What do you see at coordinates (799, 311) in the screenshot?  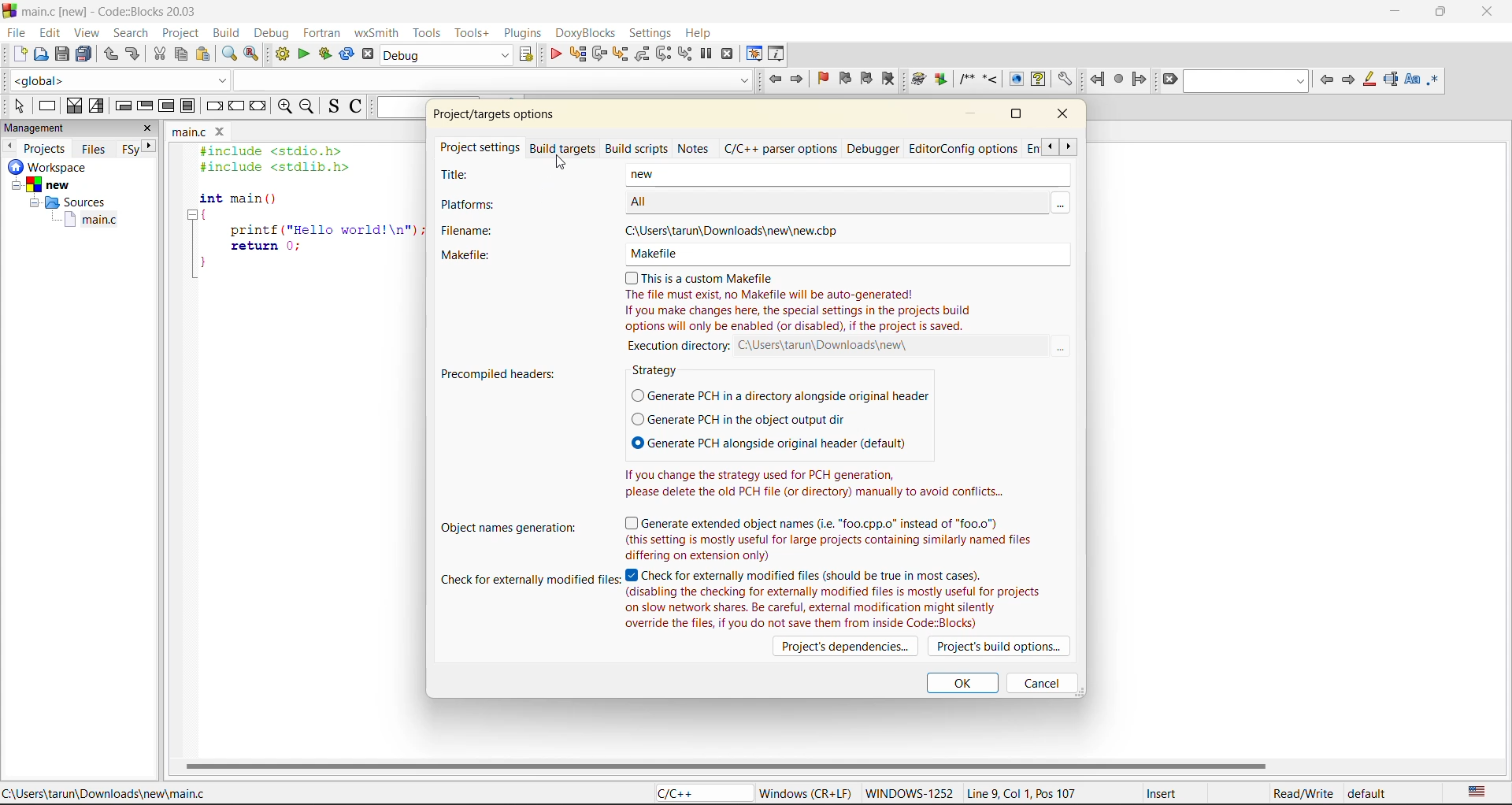 I see `The file must exist, no Makefile will be auto-generated!
If you make changes here, the special settings in the projects build
options will only be enabled (or disabled), if the project is saved.` at bounding box center [799, 311].